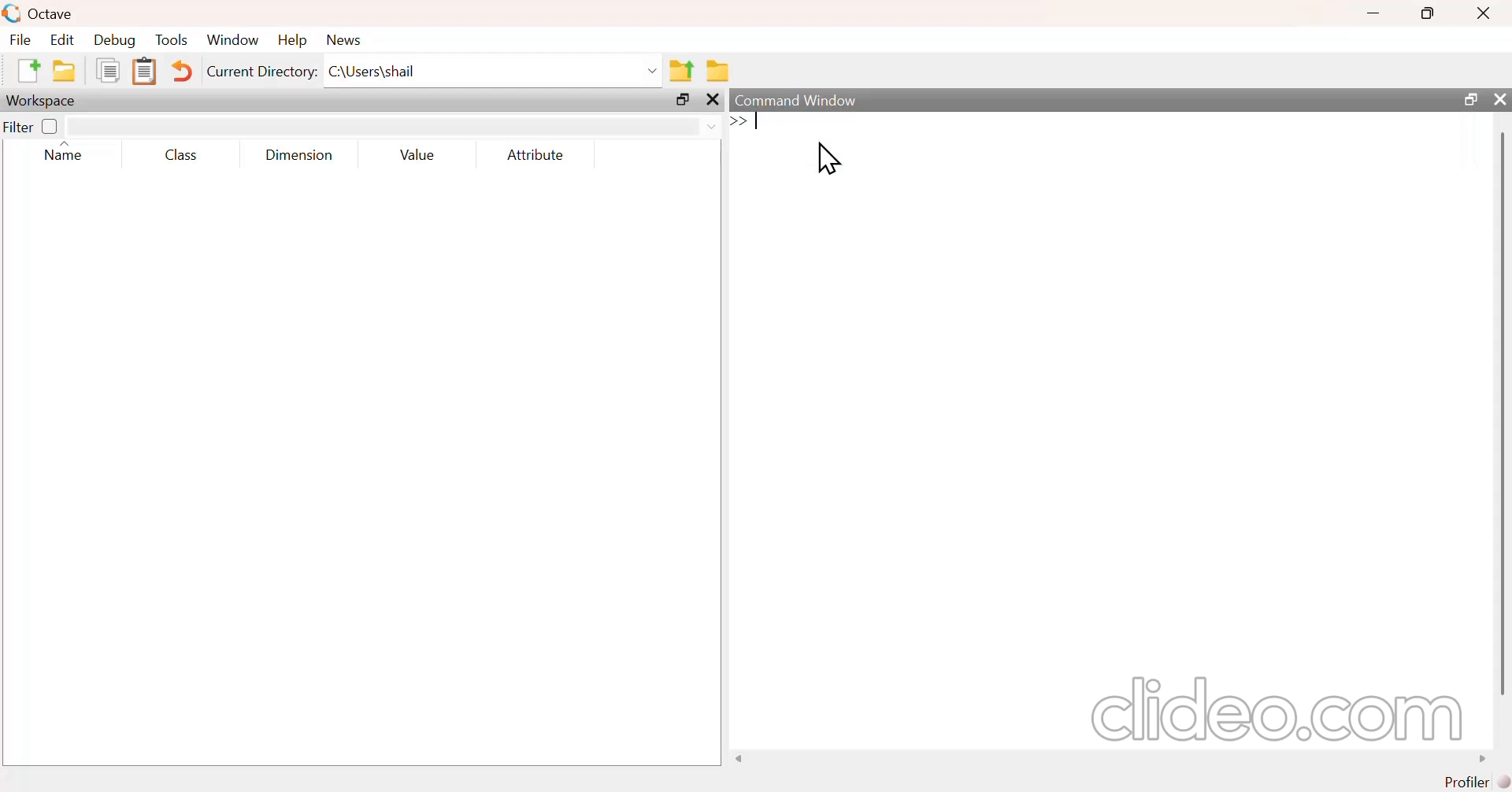  What do you see at coordinates (742, 758) in the screenshot?
I see `move left` at bounding box center [742, 758].